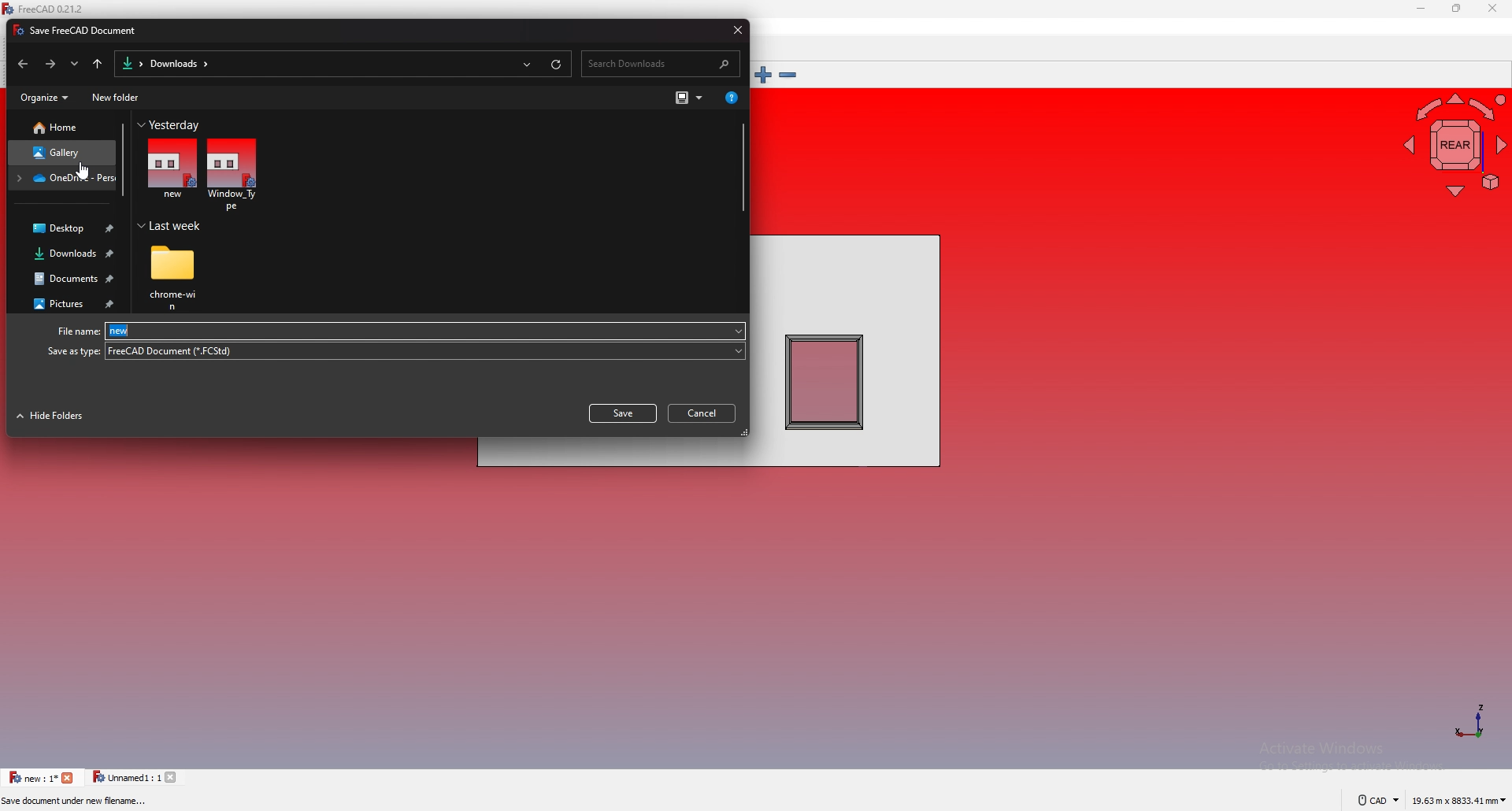 This screenshot has height=811, width=1512. What do you see at coordinates (61, 128) in the screenshot?
I see `home` at bounding box center [61, 128].